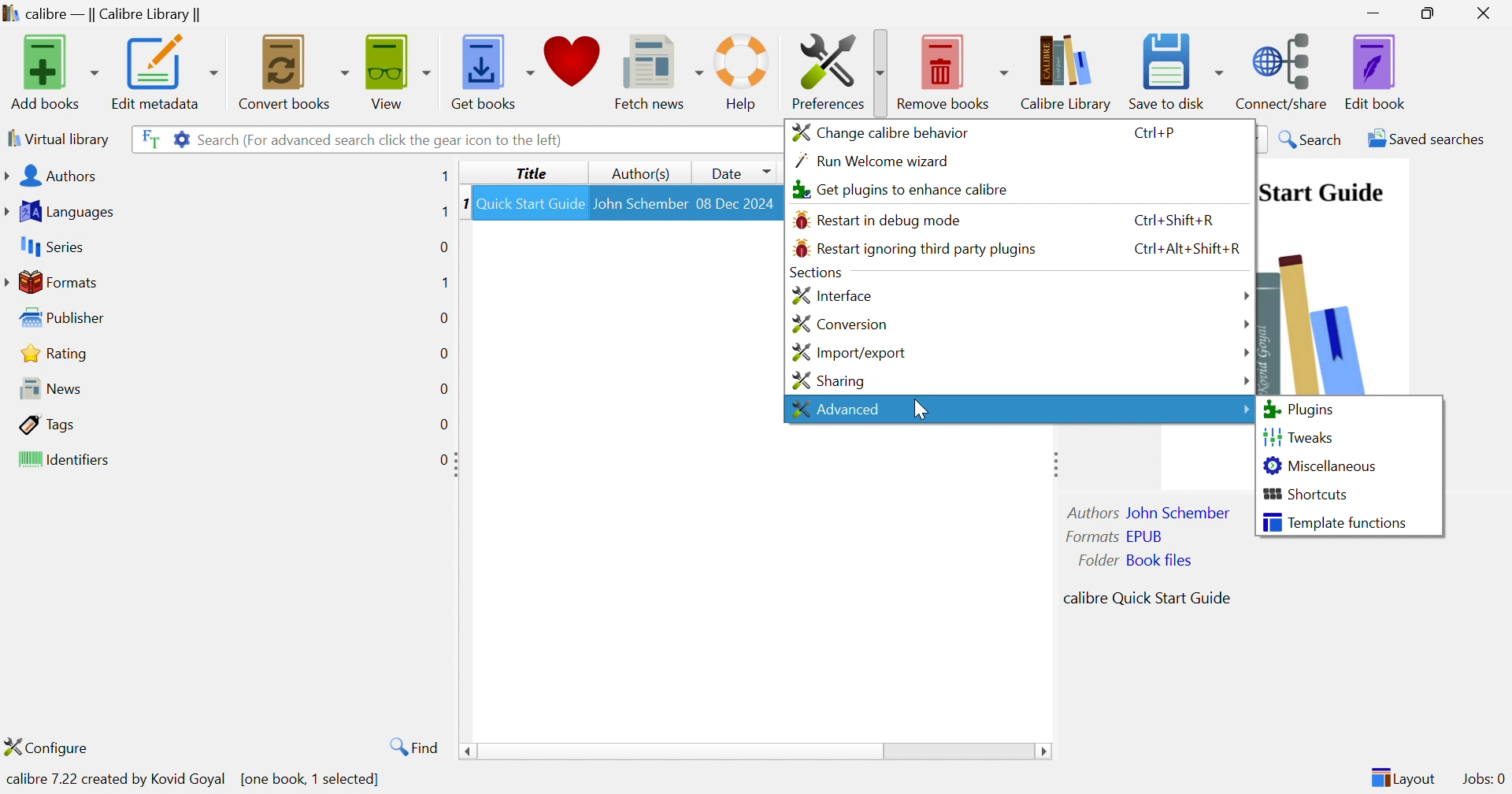 The image size is (1512, 794). What do you see at coordinates (917, 406) in the screenshot?
I see `Cursor` at bounding box center [917, 406].